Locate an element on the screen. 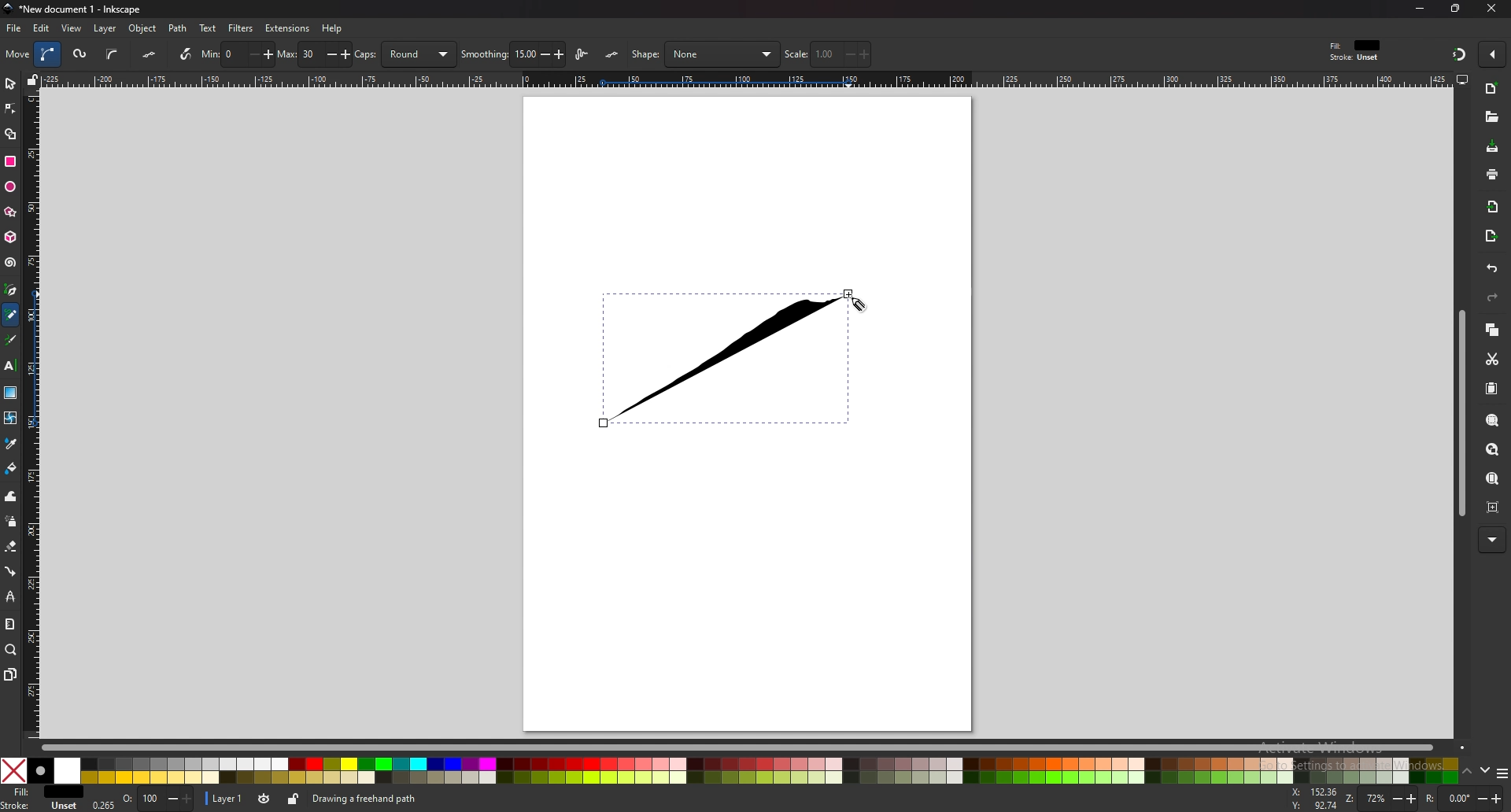  scale is located at coordinates (828, 54).